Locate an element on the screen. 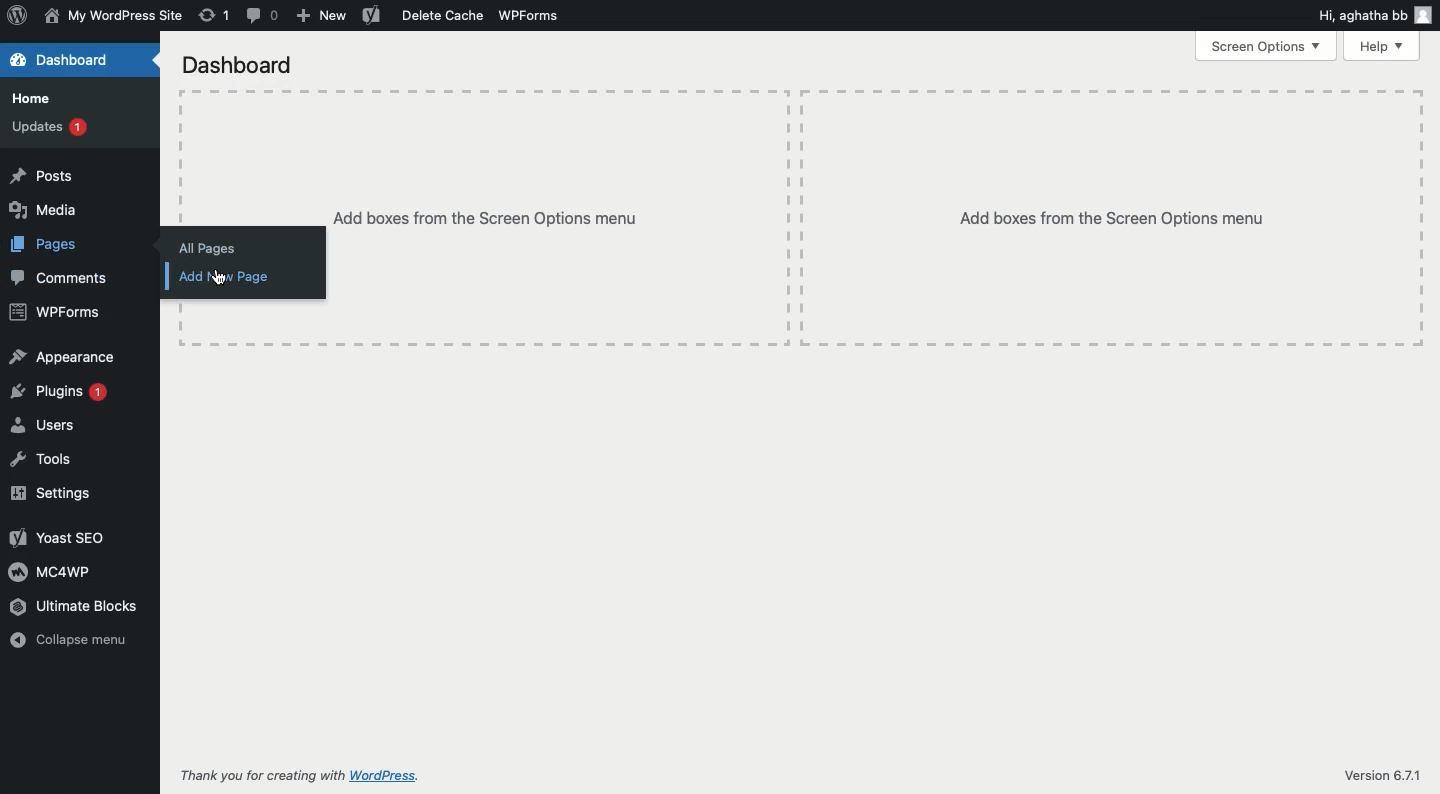  WPForms is located at coordinates (526, 15).